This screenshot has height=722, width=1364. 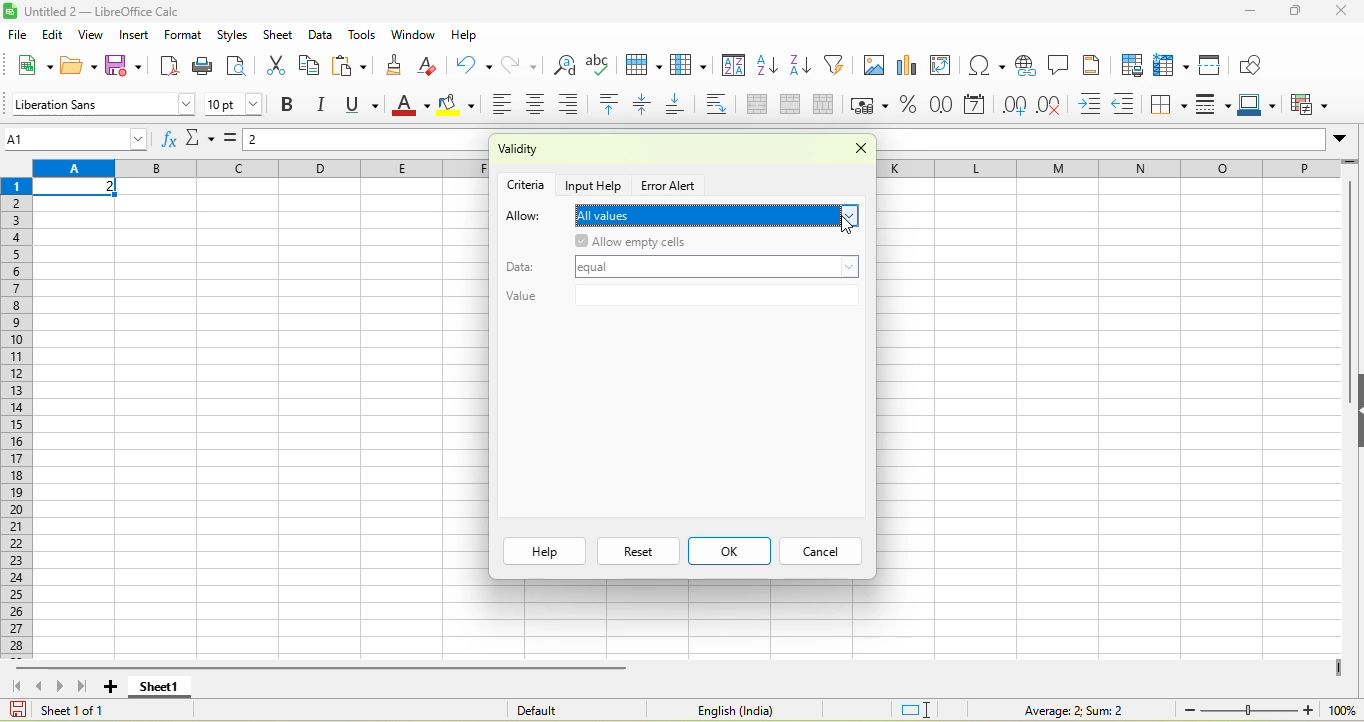 I want to click on allow, so click(x=524, y=217).